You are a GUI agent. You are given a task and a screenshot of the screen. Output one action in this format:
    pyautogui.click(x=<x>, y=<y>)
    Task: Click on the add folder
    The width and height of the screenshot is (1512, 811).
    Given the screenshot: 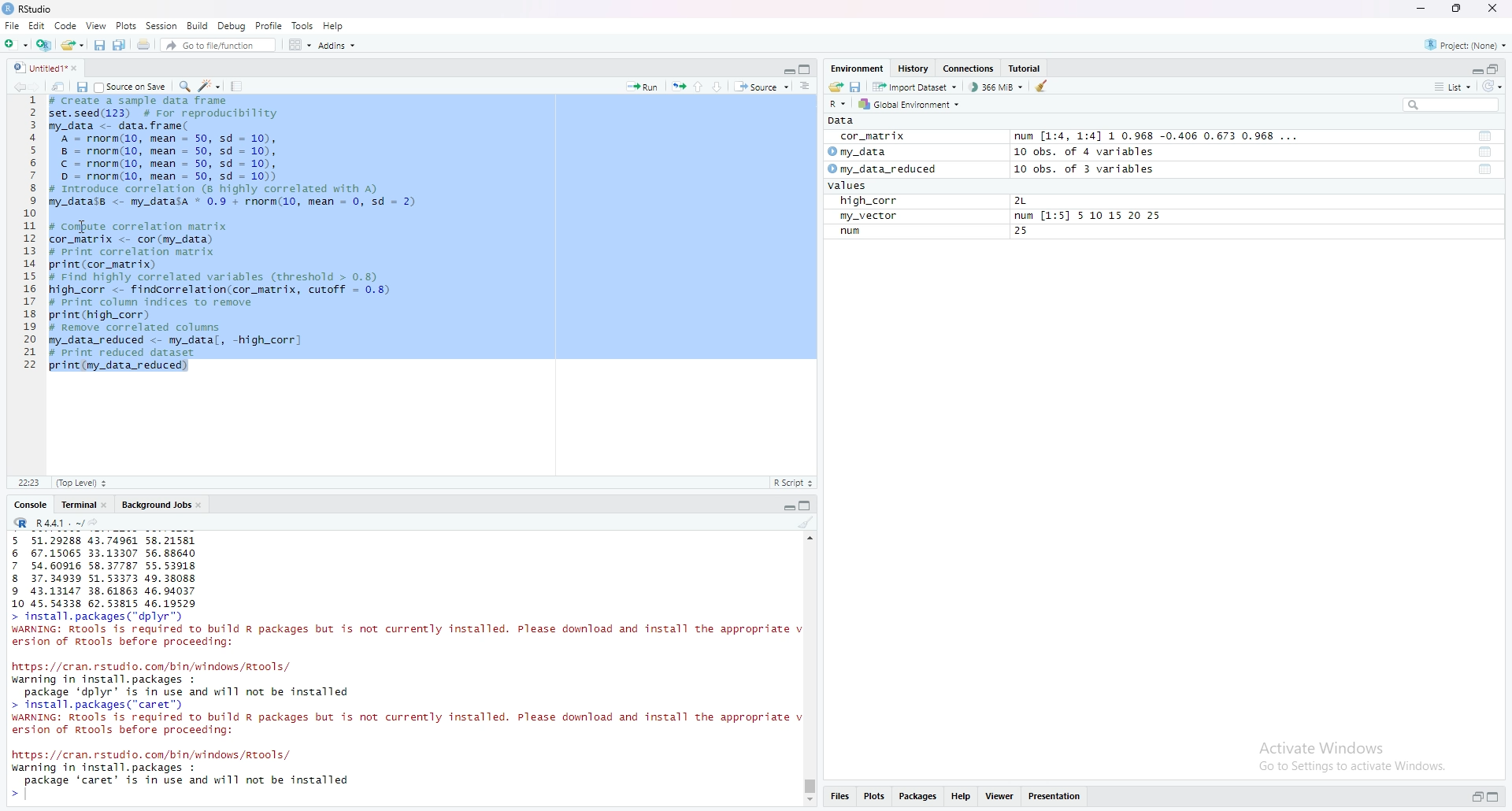 What is the action you would take?
    pyautogui.click(x=18, y=44)
    